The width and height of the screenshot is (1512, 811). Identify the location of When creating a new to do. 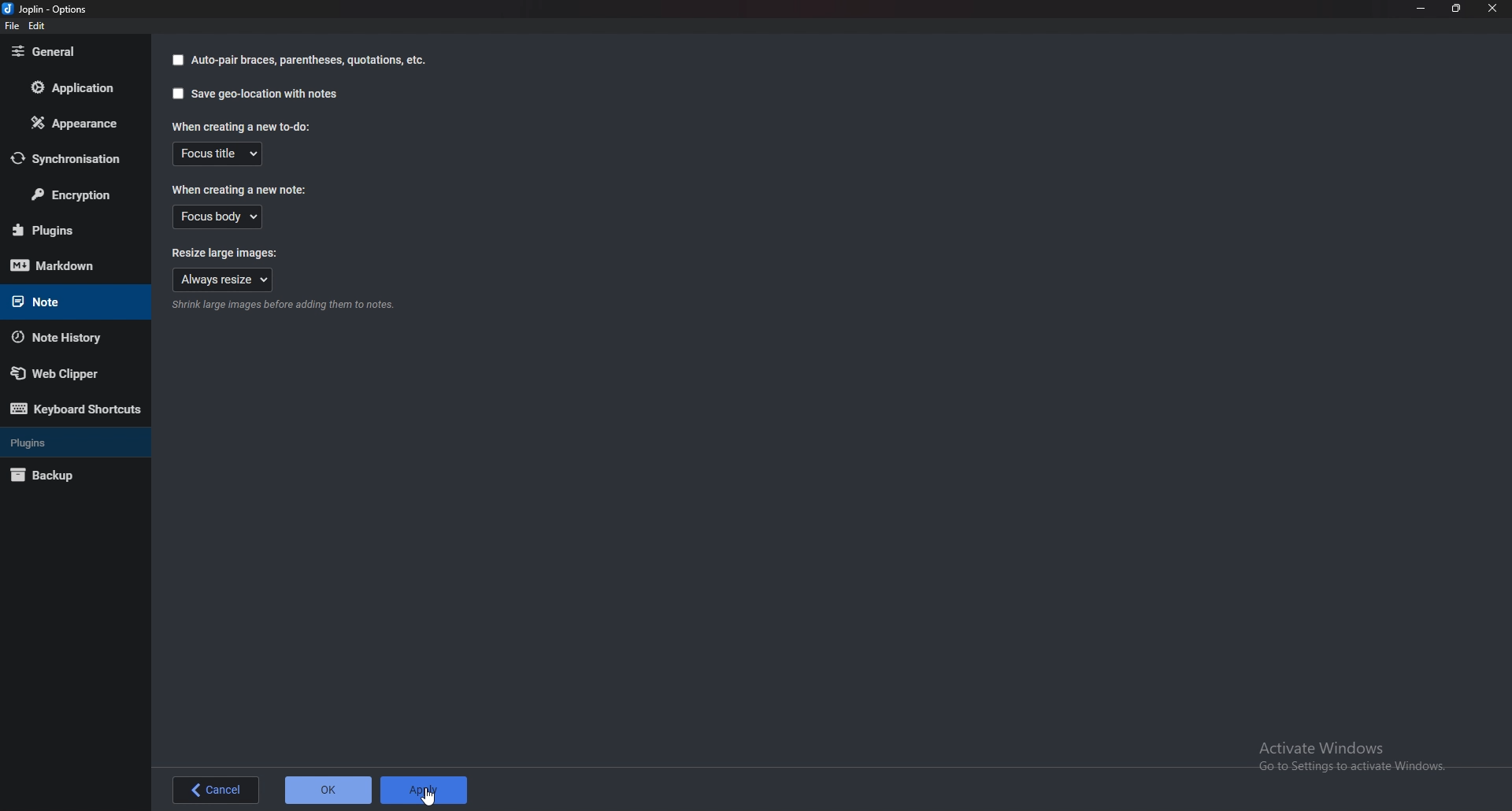
(246, 126).